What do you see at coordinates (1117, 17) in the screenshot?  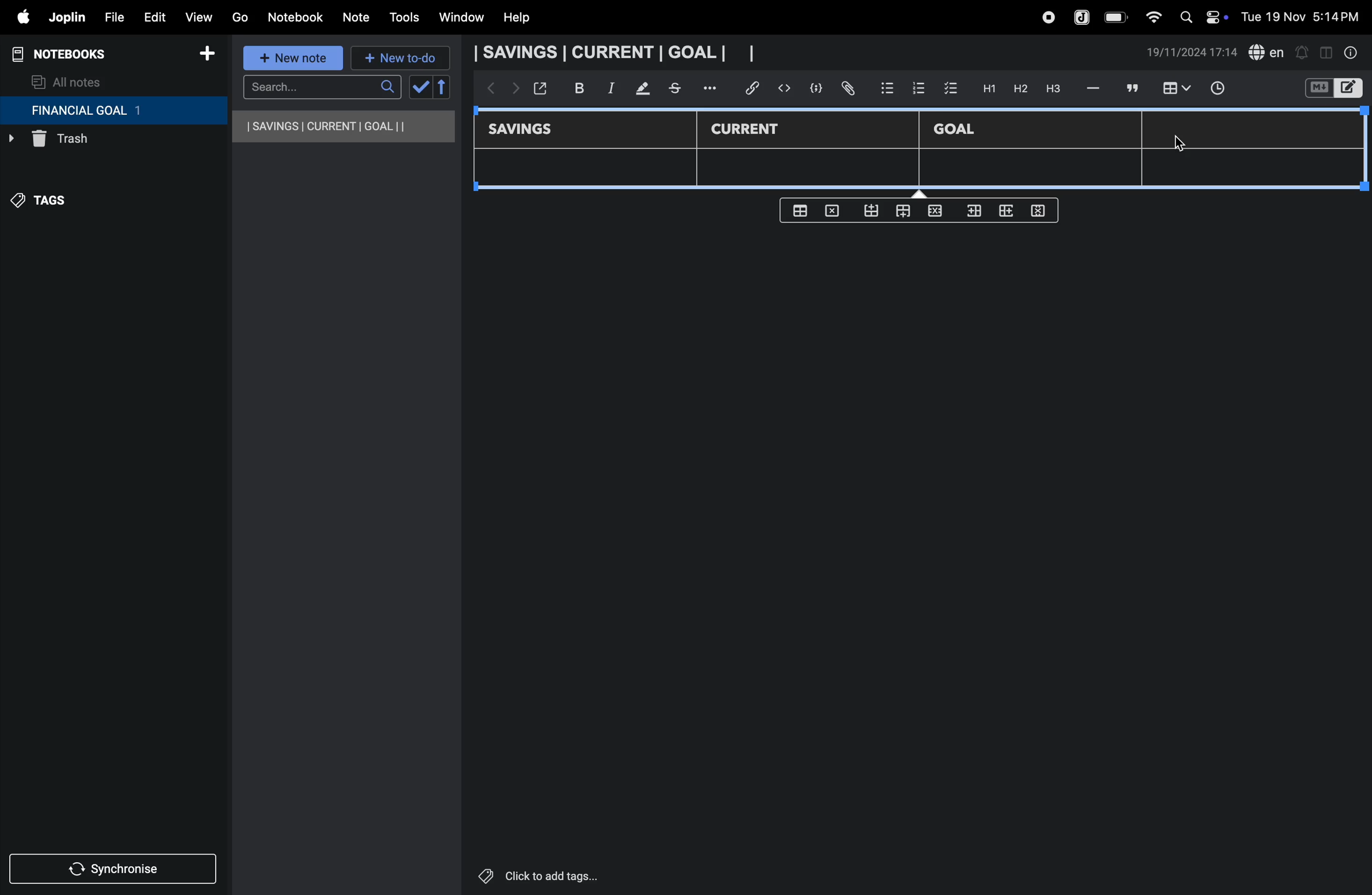 I see `battery` at bounding box center [1117, 17].